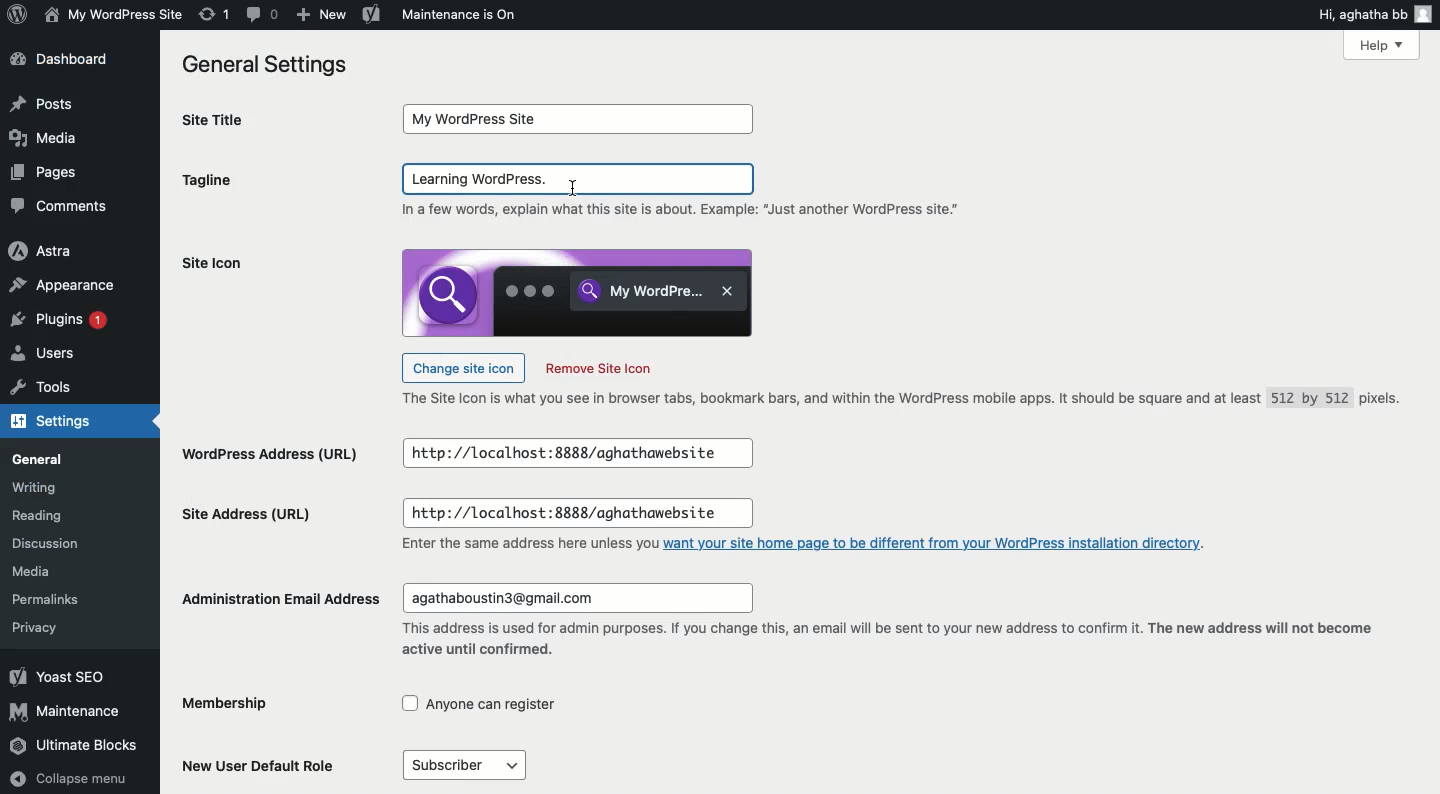  What do you see at coordinates (576, 454) in the screenshot?
I see `input box` at bounding box center [576, 454].